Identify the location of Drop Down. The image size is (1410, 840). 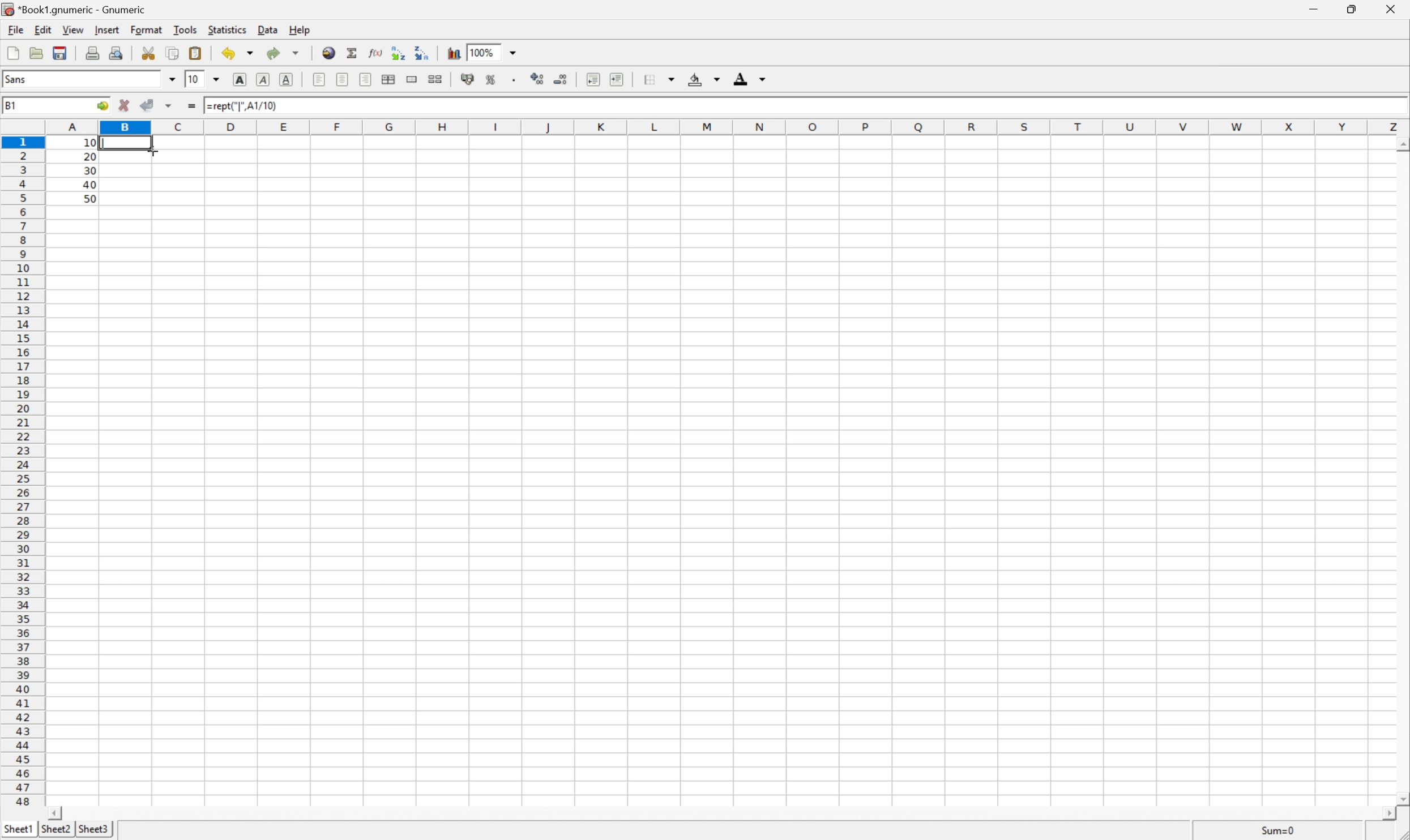
(215, 80).